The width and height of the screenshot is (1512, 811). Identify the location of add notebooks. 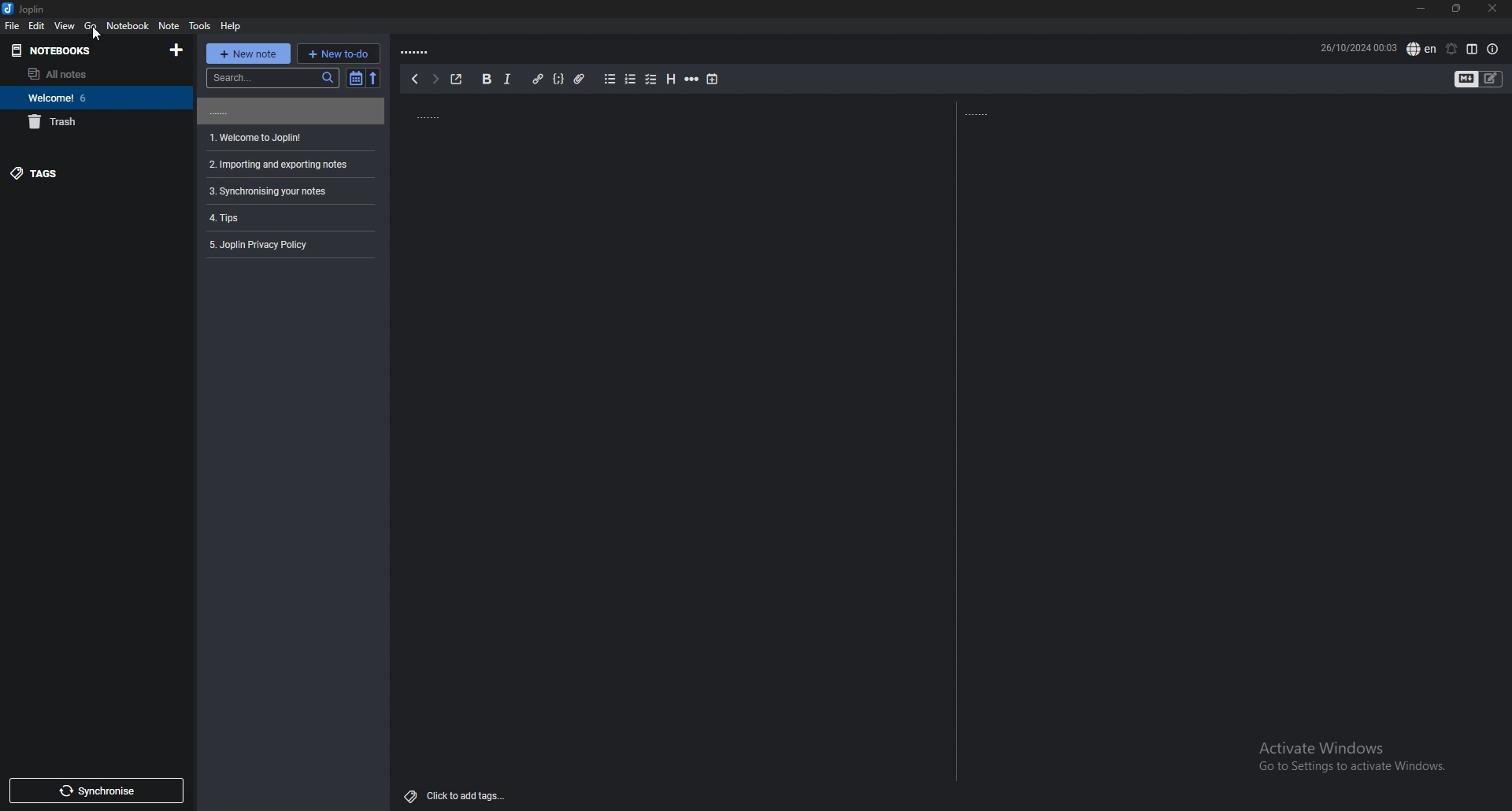
(179, 50).